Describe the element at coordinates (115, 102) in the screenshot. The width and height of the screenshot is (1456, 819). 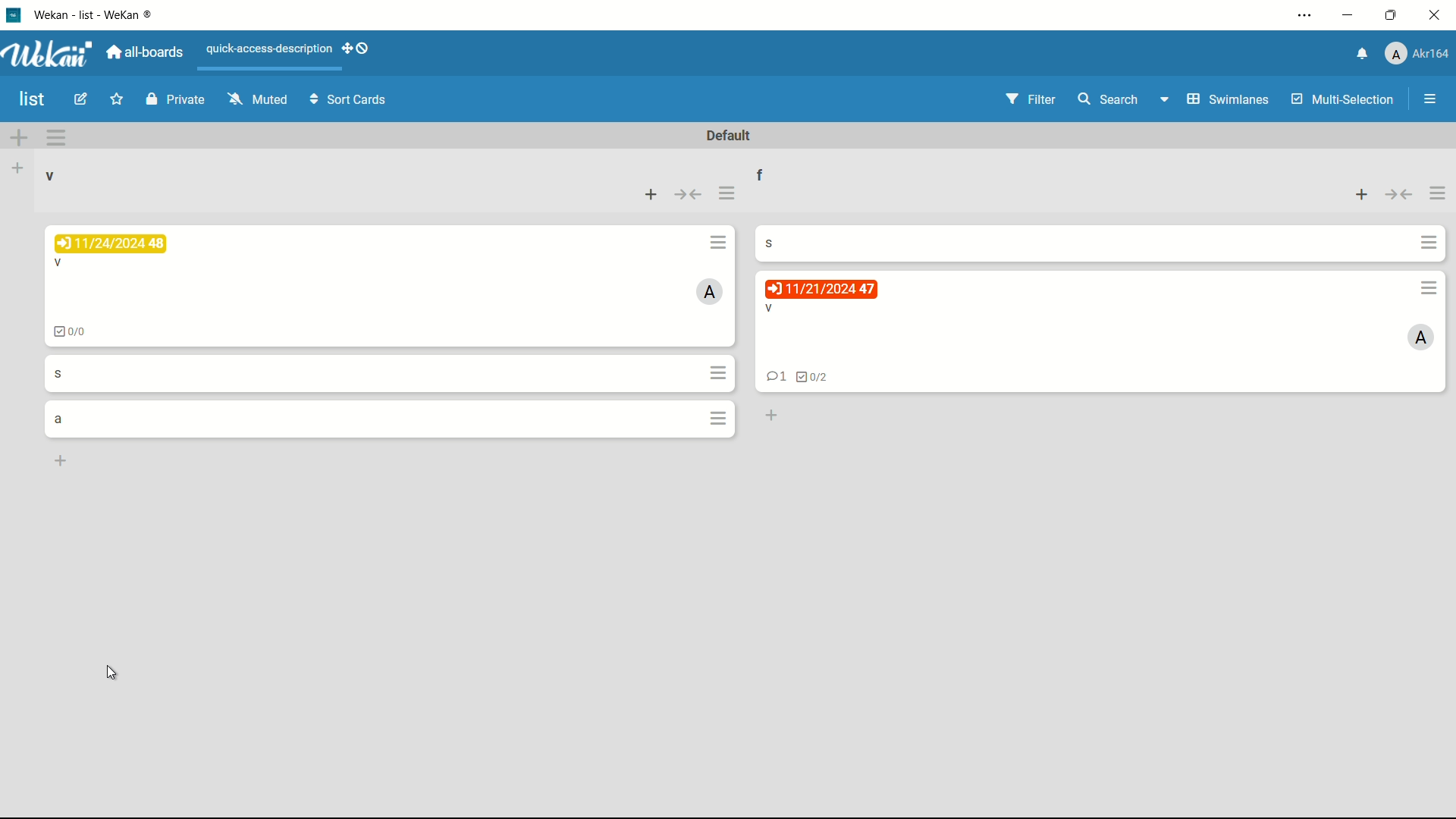
I see `add star to this board` at that location.